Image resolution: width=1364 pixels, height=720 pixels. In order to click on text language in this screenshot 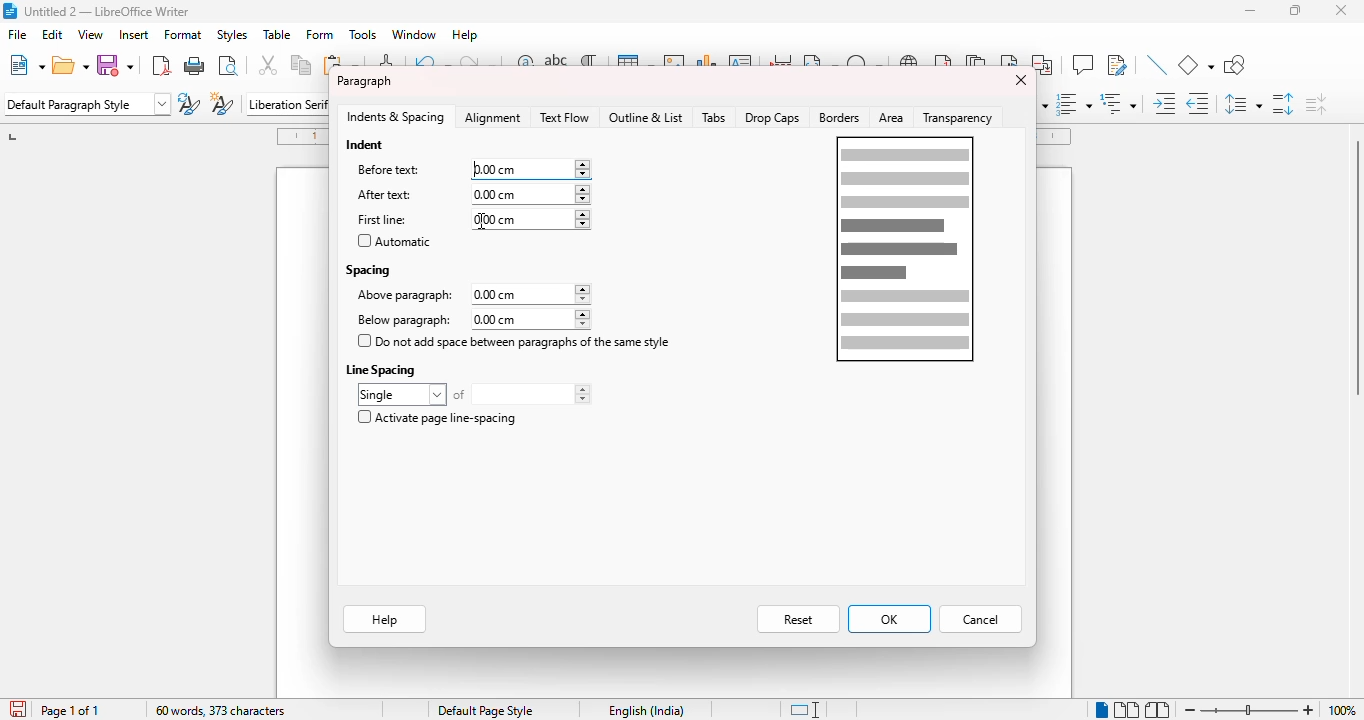, I will do `click(648, 710)`.